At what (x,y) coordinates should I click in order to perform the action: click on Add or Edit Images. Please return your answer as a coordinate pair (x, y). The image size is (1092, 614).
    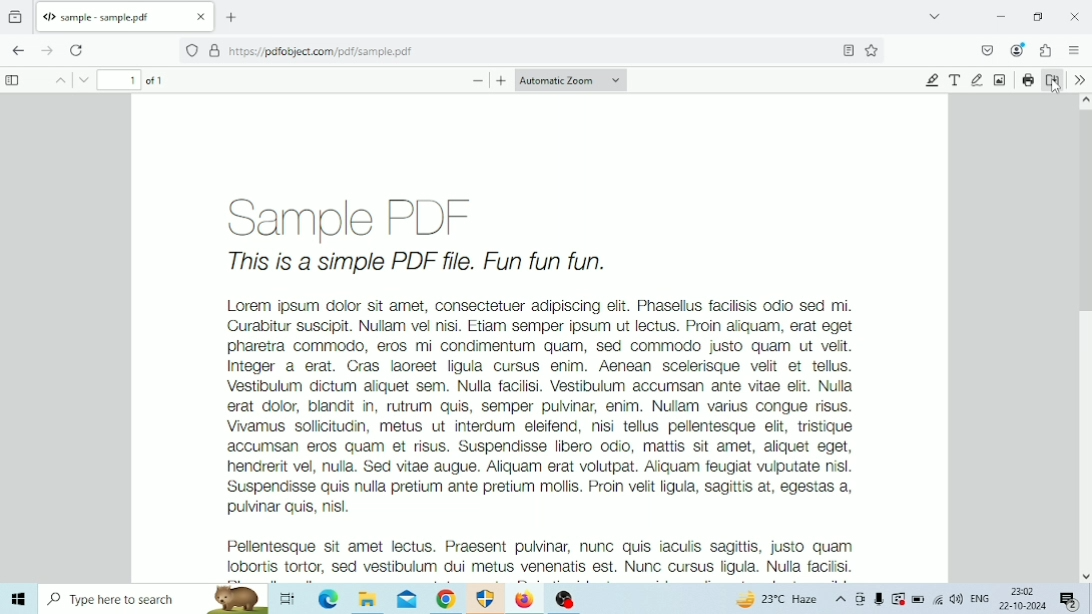
    Looking at the image, I should click on (1001, 80).